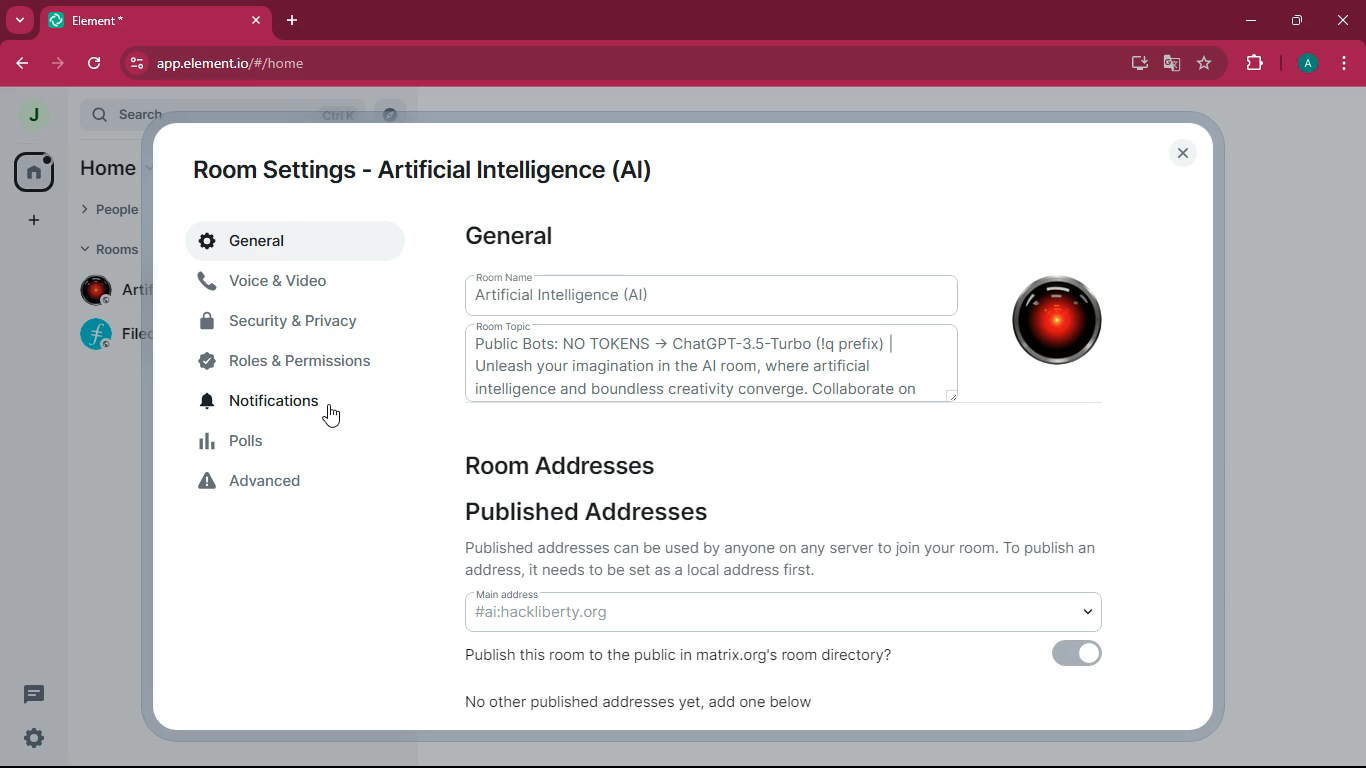  I want to click on refresh, so click(96, 64).